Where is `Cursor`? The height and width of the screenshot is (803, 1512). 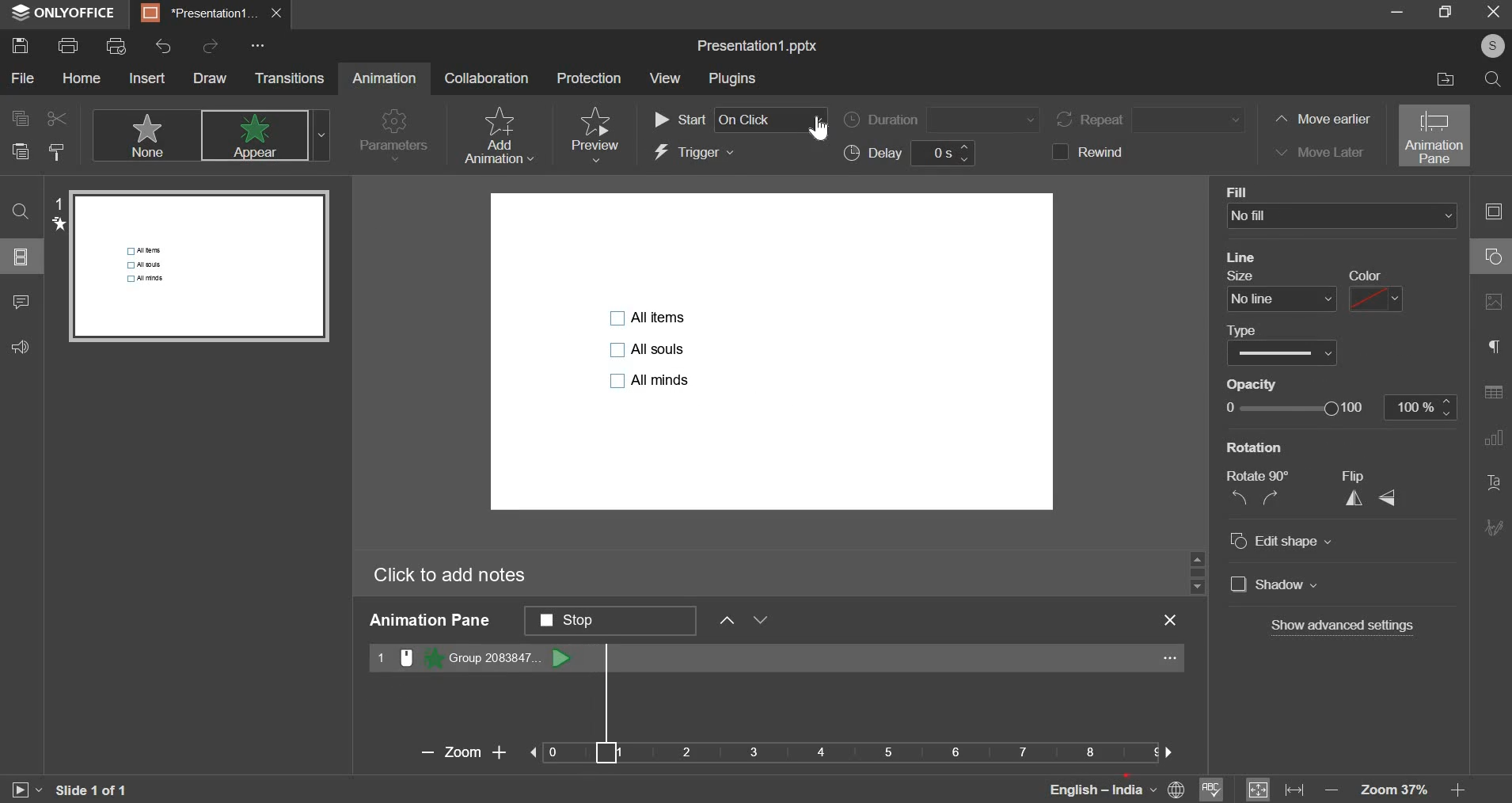
Cursor is located at coordinates (816, 130).